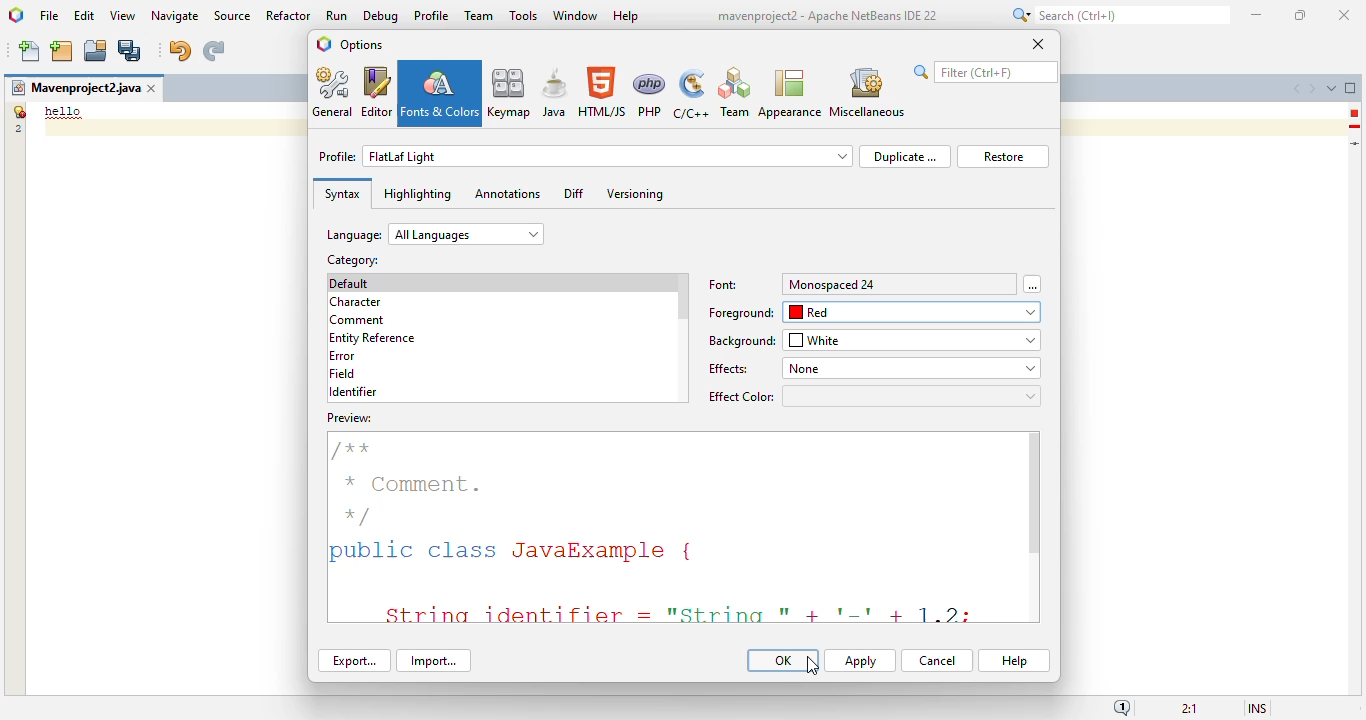  What do you see at coordinates (75, 88) in the screenshot?
I see `project name` at bounding box center [75, 88].